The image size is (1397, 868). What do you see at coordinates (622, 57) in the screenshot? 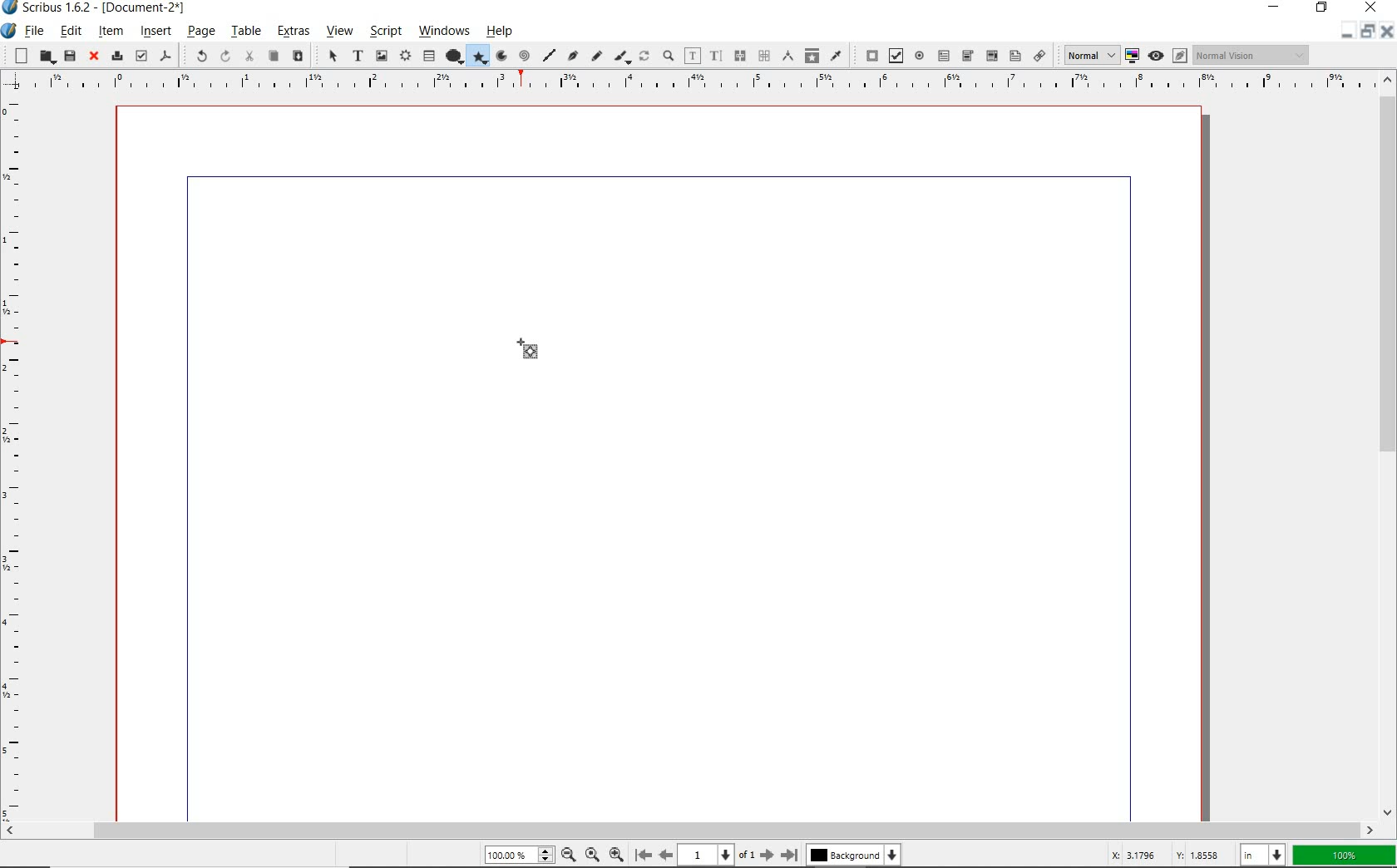
I see `calligraphic line` at bounding box center [622, 57].